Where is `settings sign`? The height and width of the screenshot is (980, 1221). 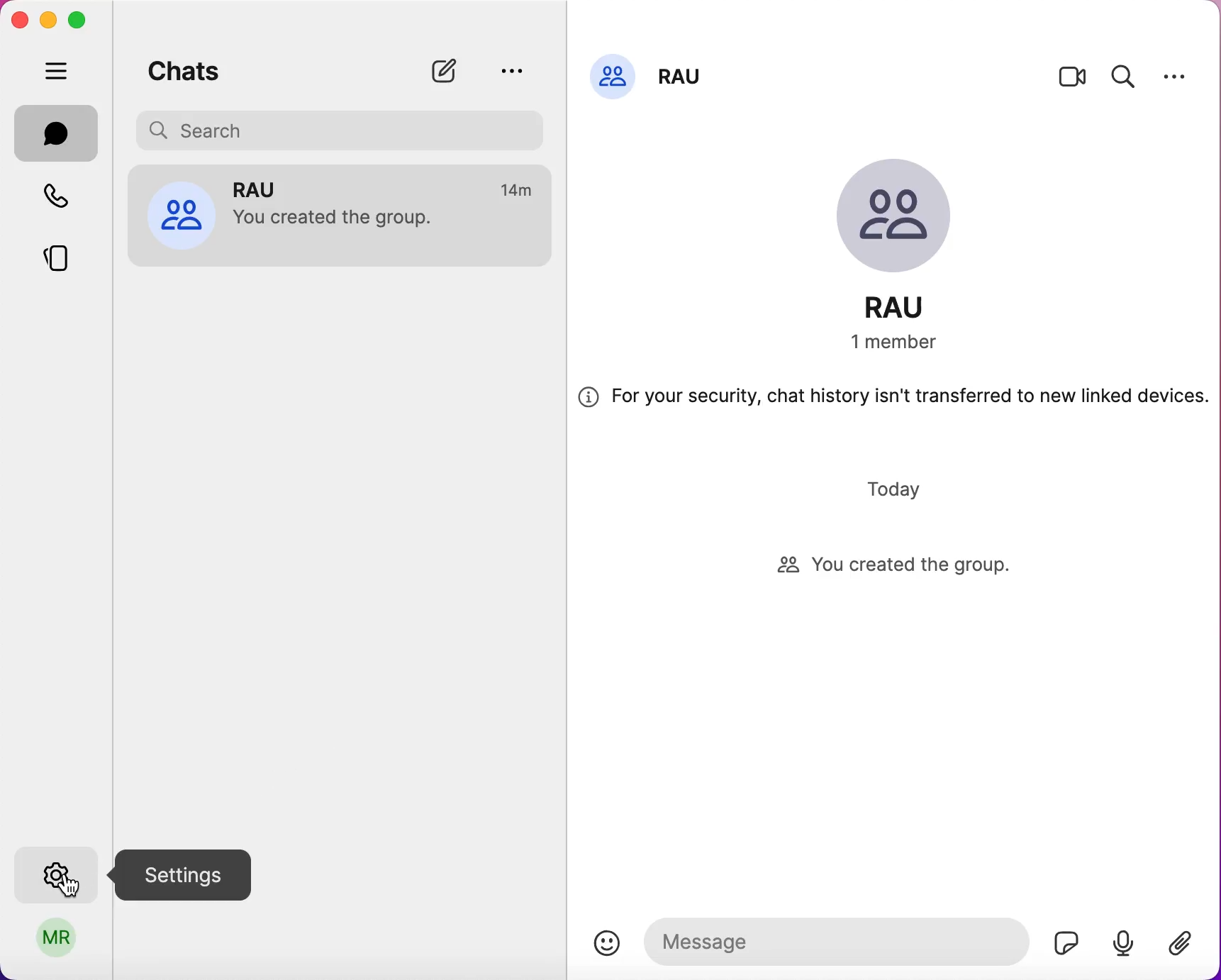 settings sign is located at coordinates (196, 877).